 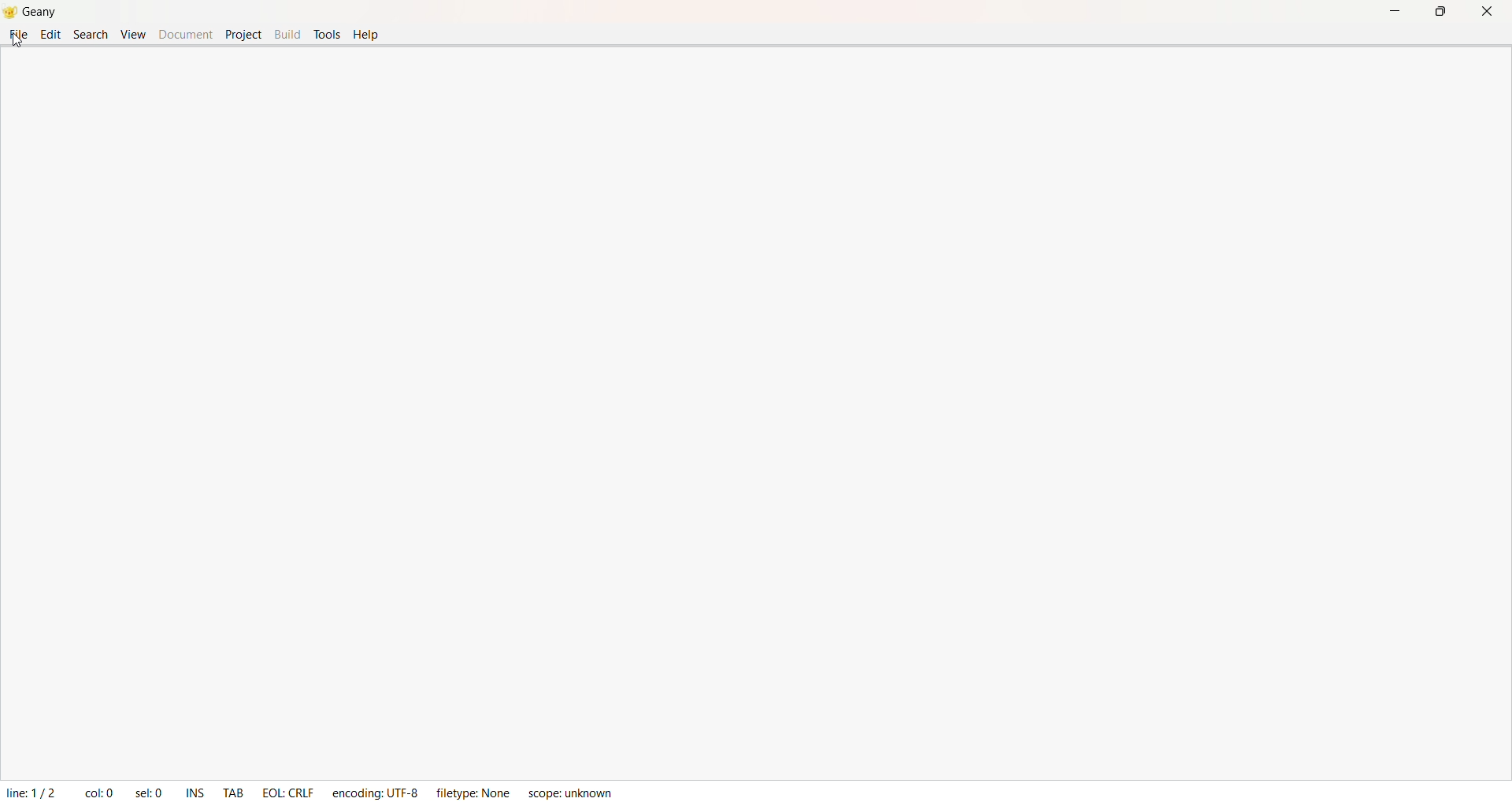 What do you see at coordinates (1435, 13) in the screenshot?
I see `Maximize` at bounding box center [1435, 13].